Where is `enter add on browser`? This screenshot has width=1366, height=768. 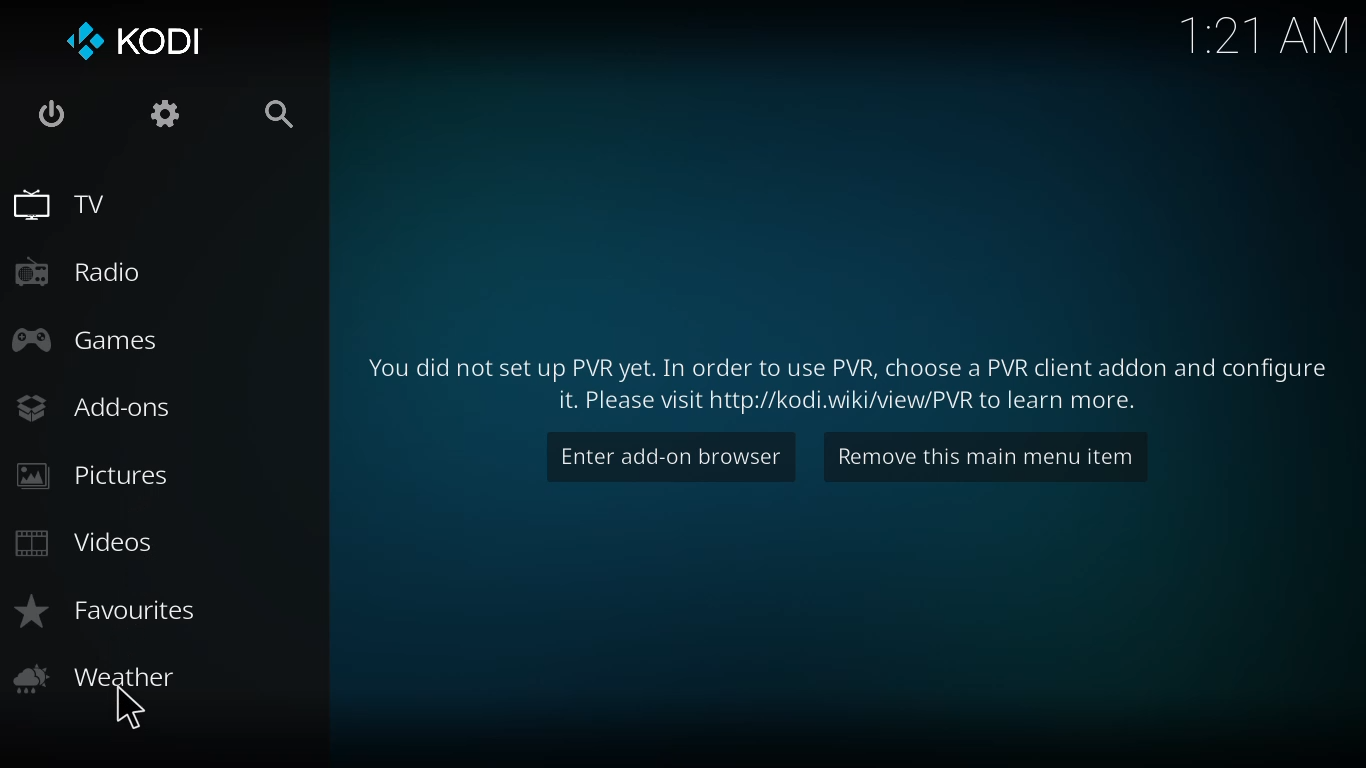 enter add on browser is located at coordinates (667, 458).